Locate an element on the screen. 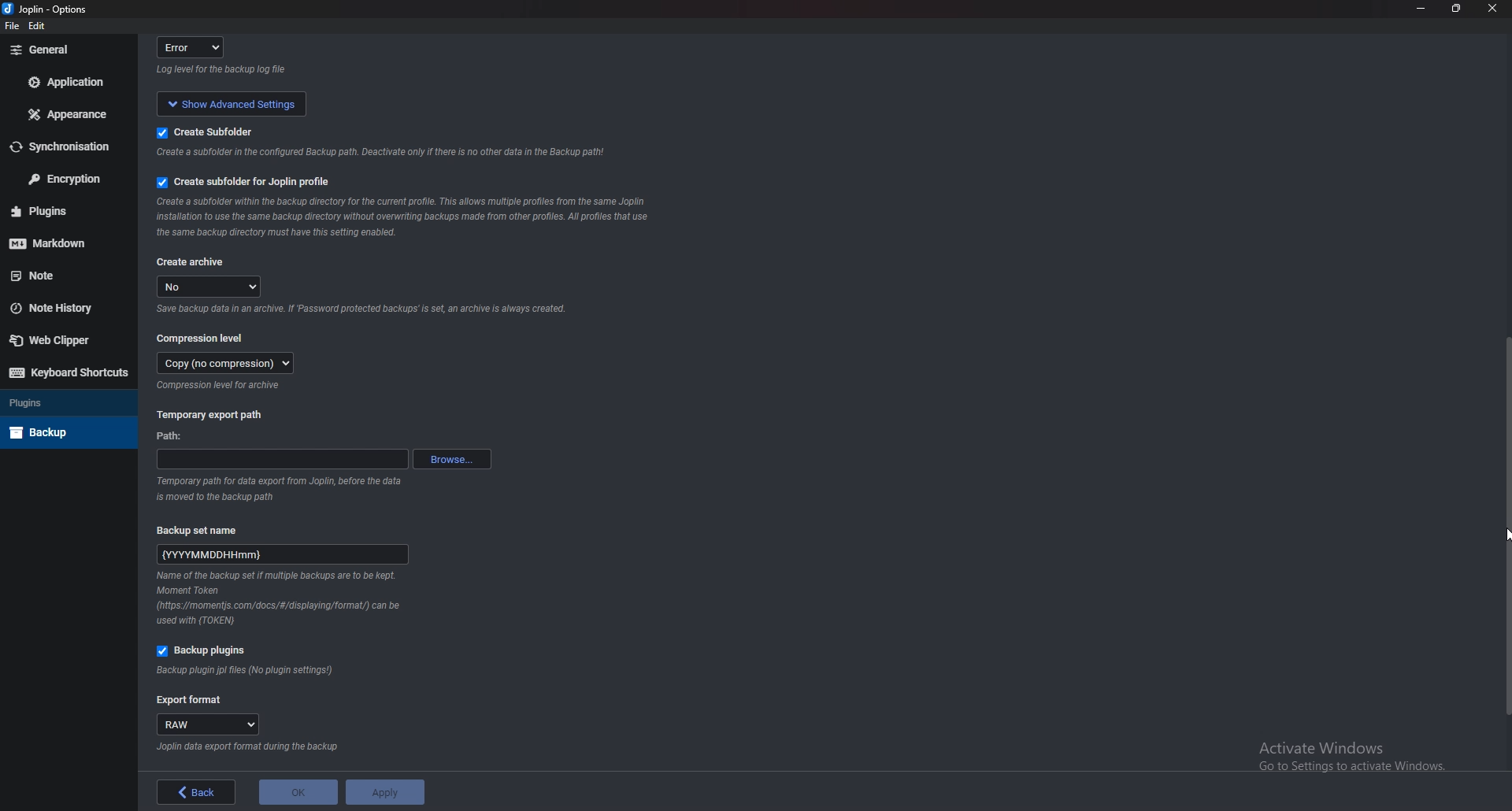  path is located at coordinates (282, 459).